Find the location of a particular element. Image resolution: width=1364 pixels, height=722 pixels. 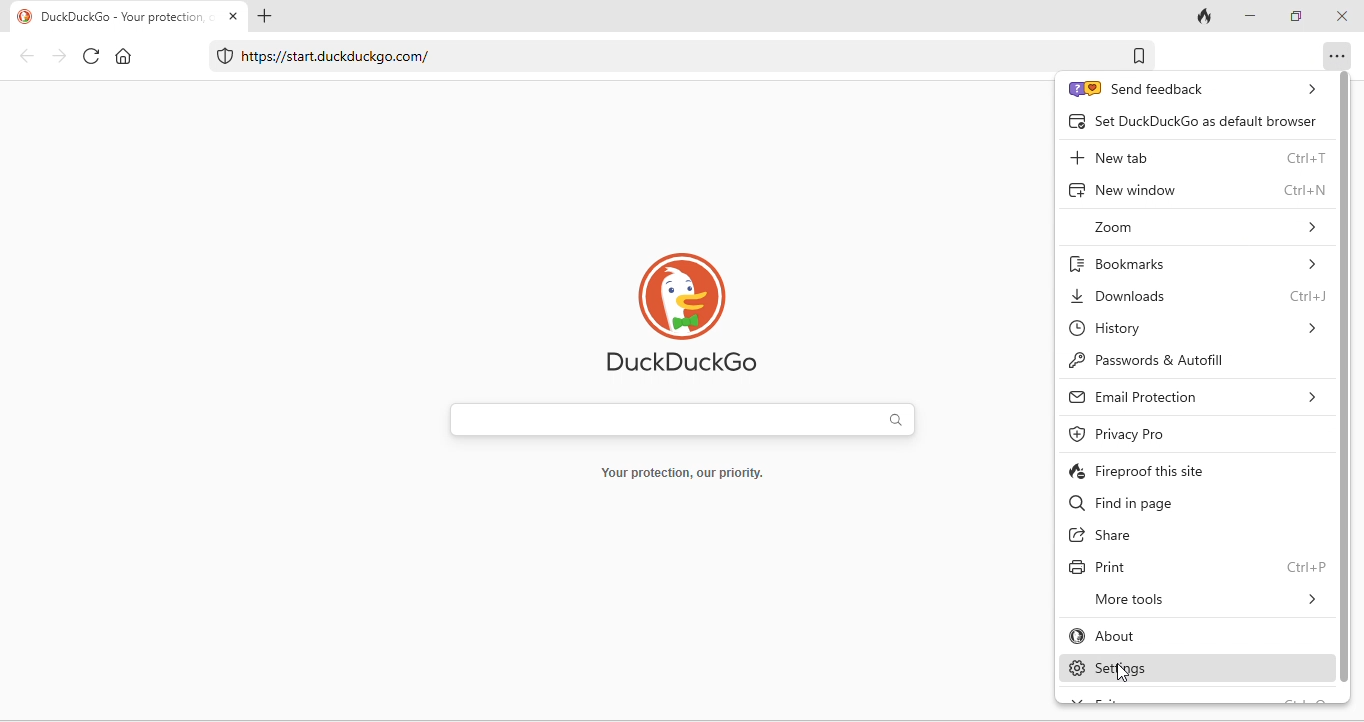

search bar is located at coordinates (679, 420).